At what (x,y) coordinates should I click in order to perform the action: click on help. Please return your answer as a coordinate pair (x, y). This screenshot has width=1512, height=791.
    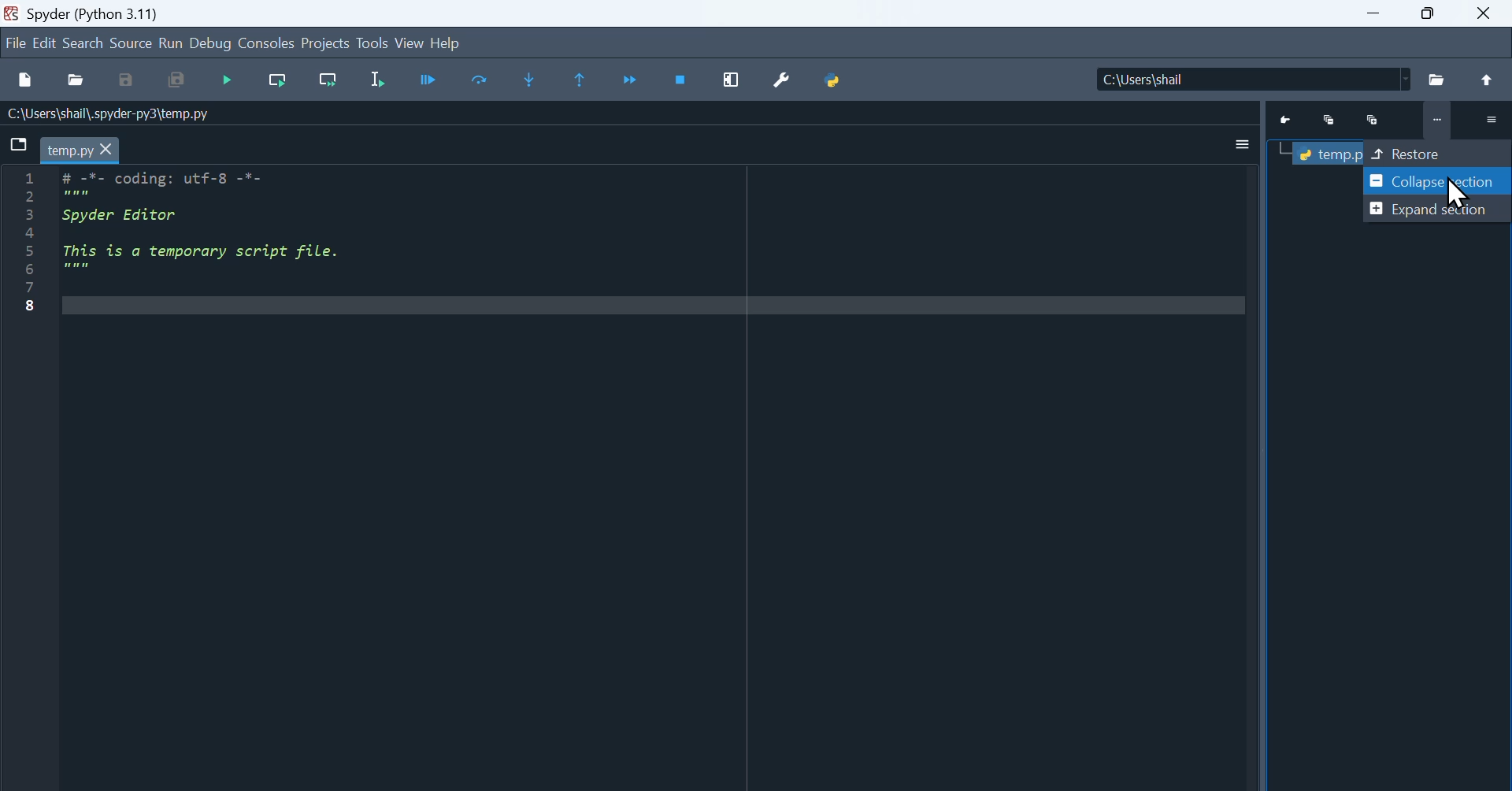
    Looking at the image, I should click on (445, 43).